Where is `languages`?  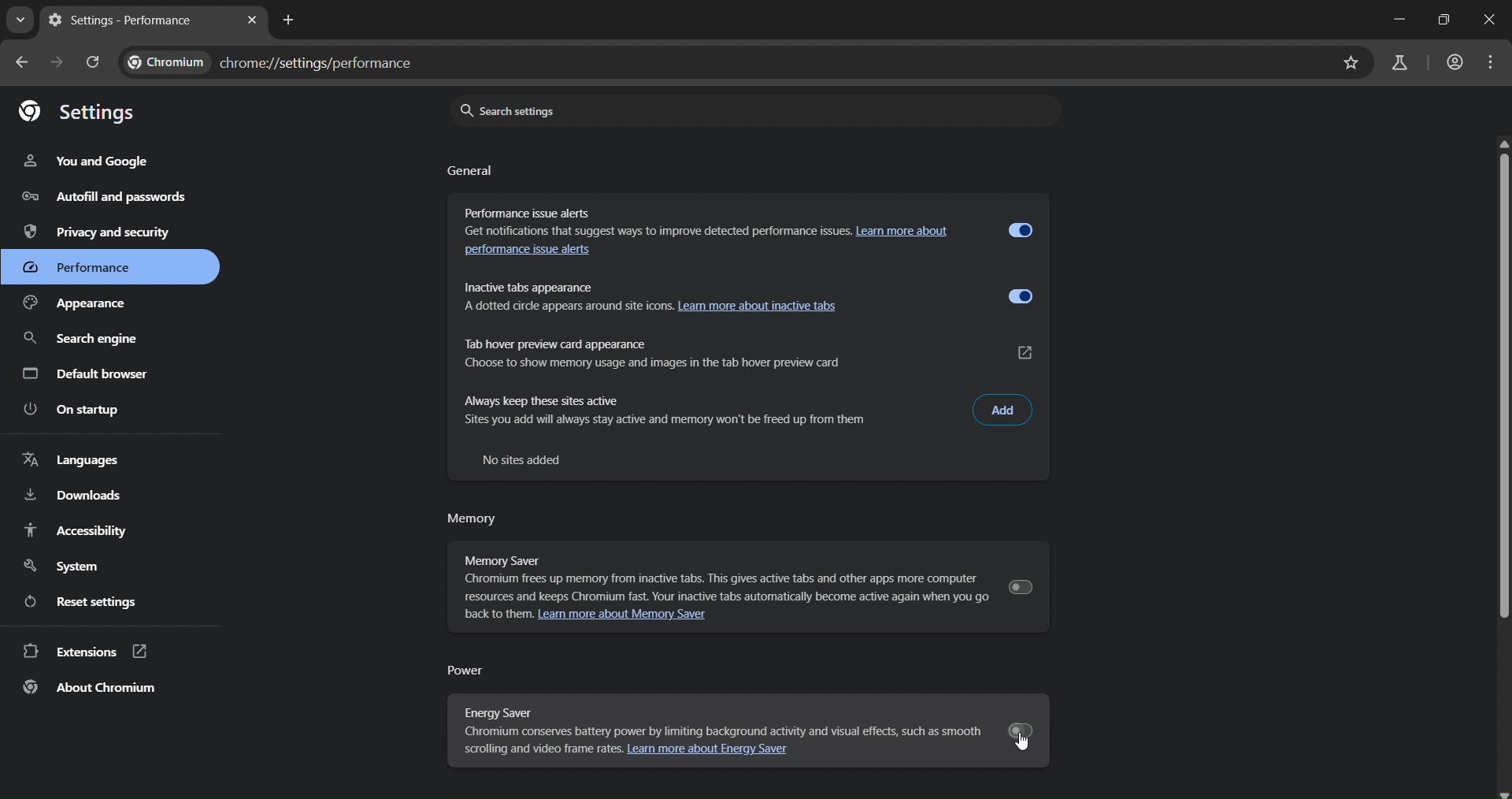 languages is located at coordinates (70, 460).